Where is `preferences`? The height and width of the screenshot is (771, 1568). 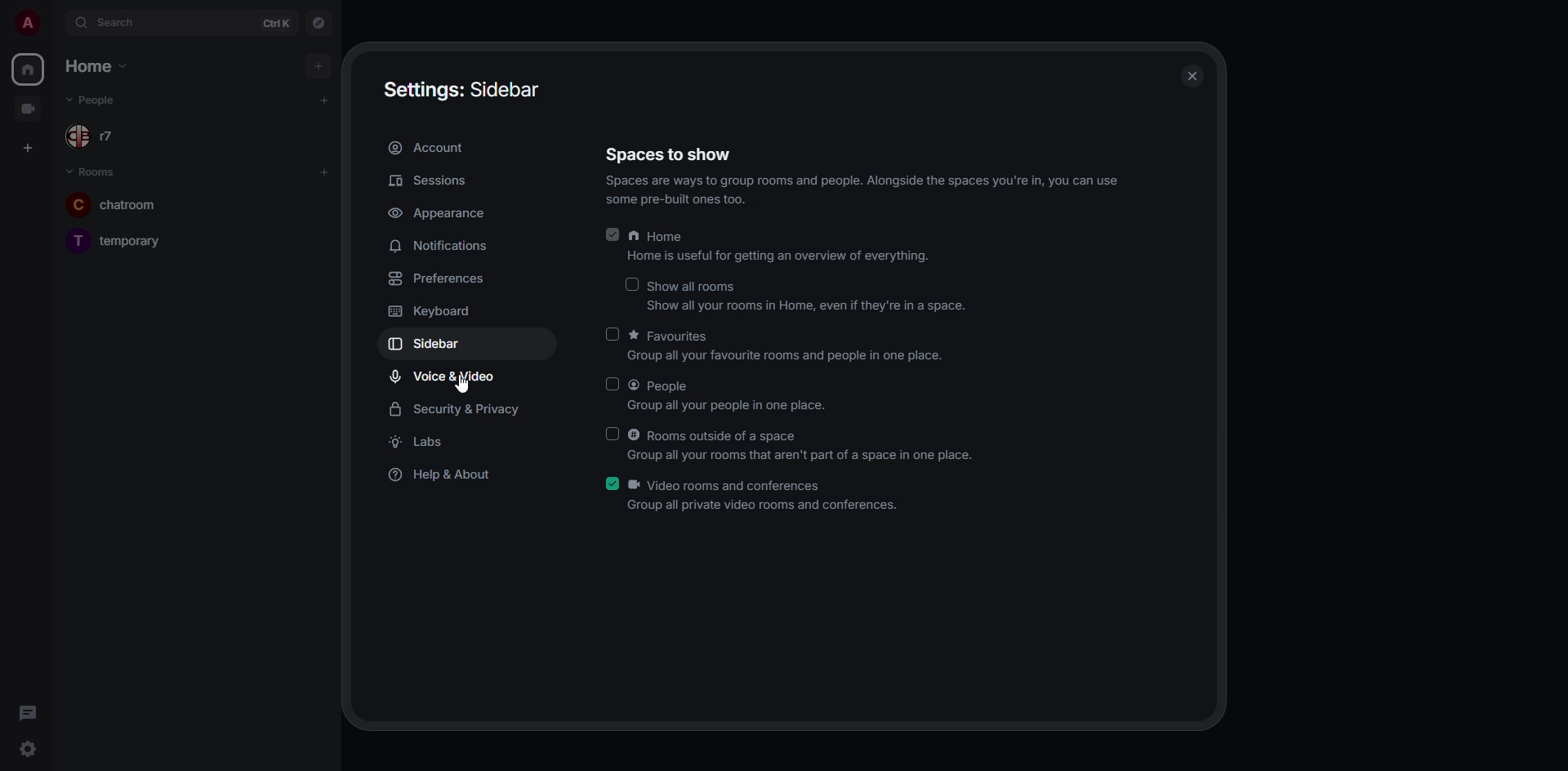
preferences is located at coordinates (442, 279).